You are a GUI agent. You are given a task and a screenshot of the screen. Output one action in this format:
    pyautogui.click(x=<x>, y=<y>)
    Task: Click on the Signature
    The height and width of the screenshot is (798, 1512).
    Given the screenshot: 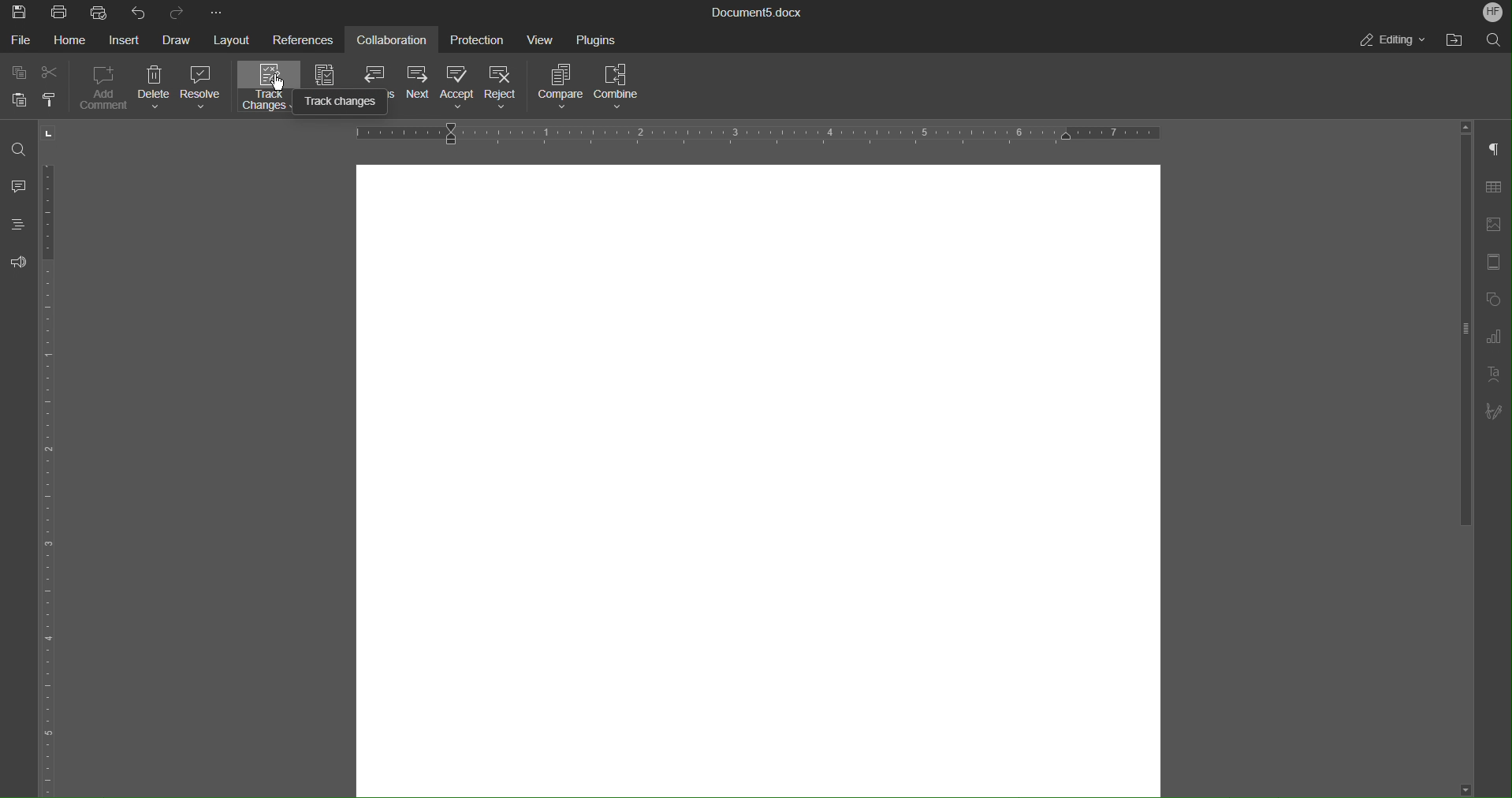 What is the action you would take?
    pyautogui.click(x=1492, y=413)
    